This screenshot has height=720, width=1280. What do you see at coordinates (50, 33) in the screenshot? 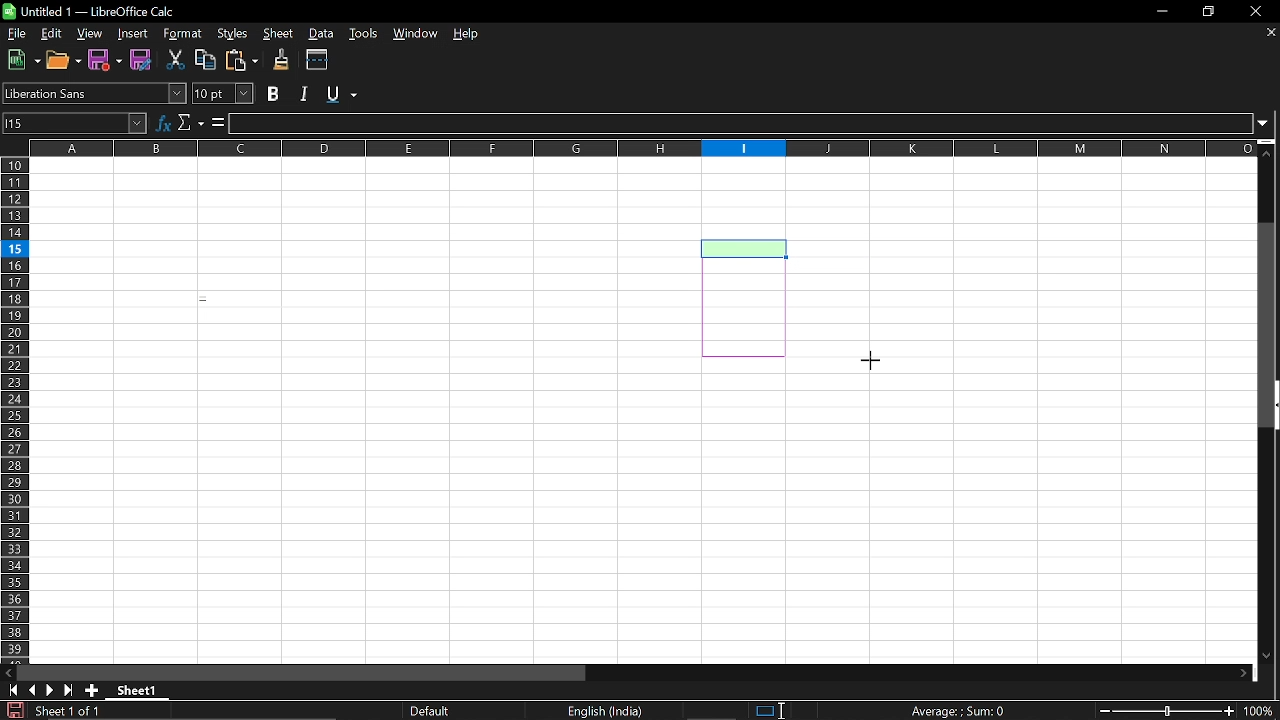
I see `Edit` at bounding box center [50, 33].